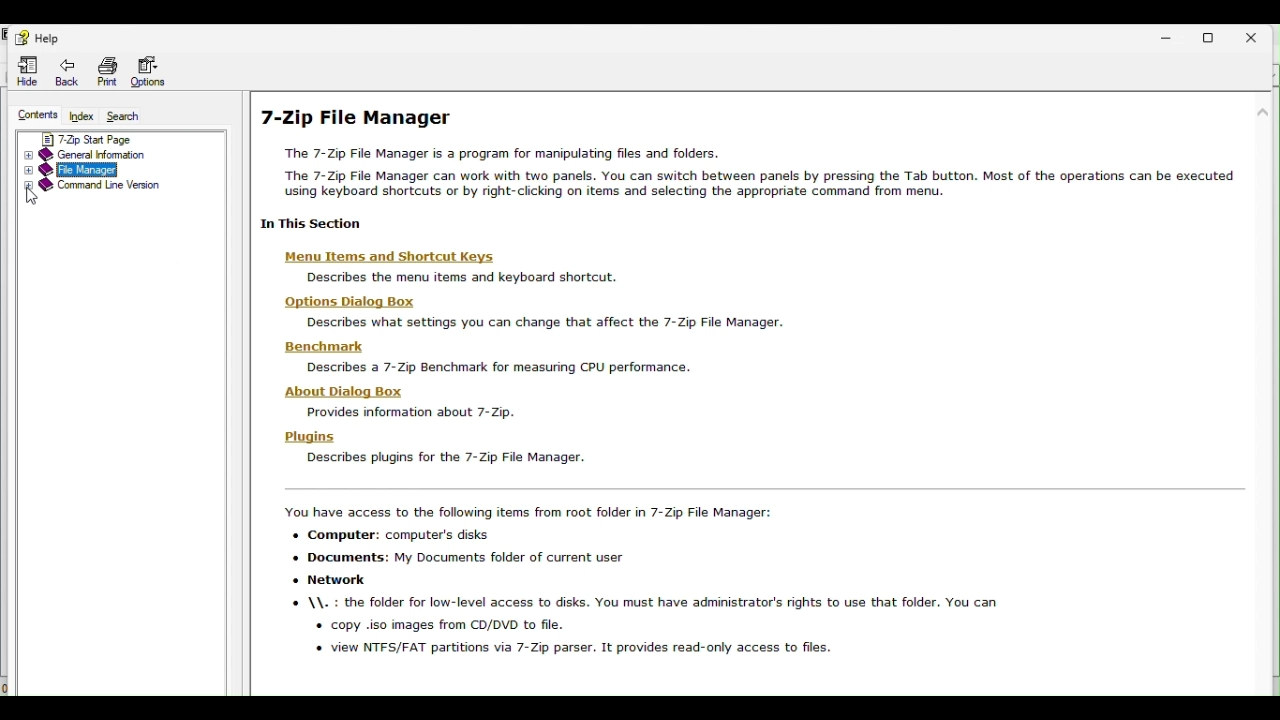 Image resolution: width=1280 pixels, height=720 pixels. I want to click on File manager, so click(102, 168).